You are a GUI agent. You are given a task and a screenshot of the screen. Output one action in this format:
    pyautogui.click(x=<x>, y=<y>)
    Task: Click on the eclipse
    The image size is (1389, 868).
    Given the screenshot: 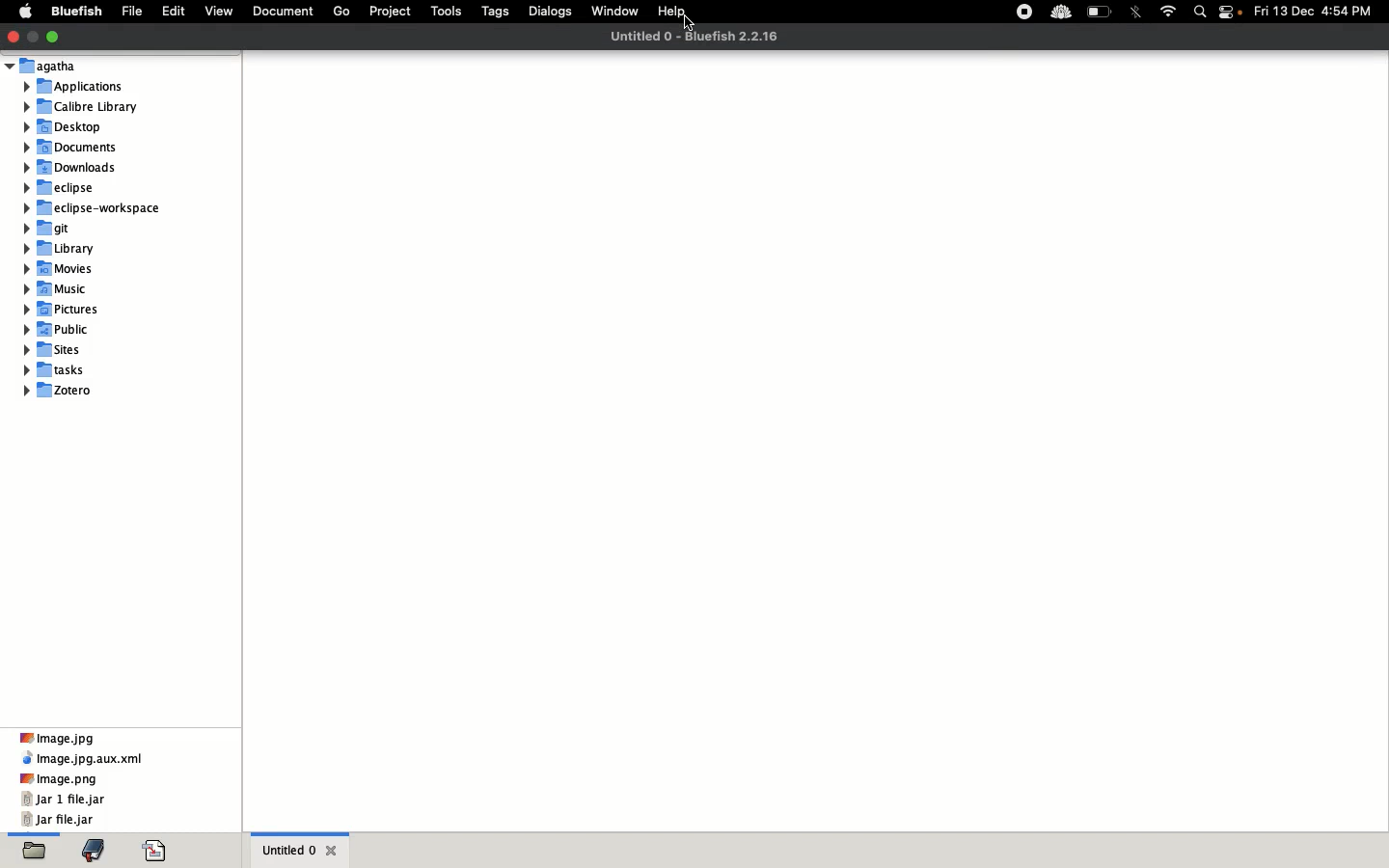 What is the action you would take?
    pyautogui.click(x=71, y=187)
    